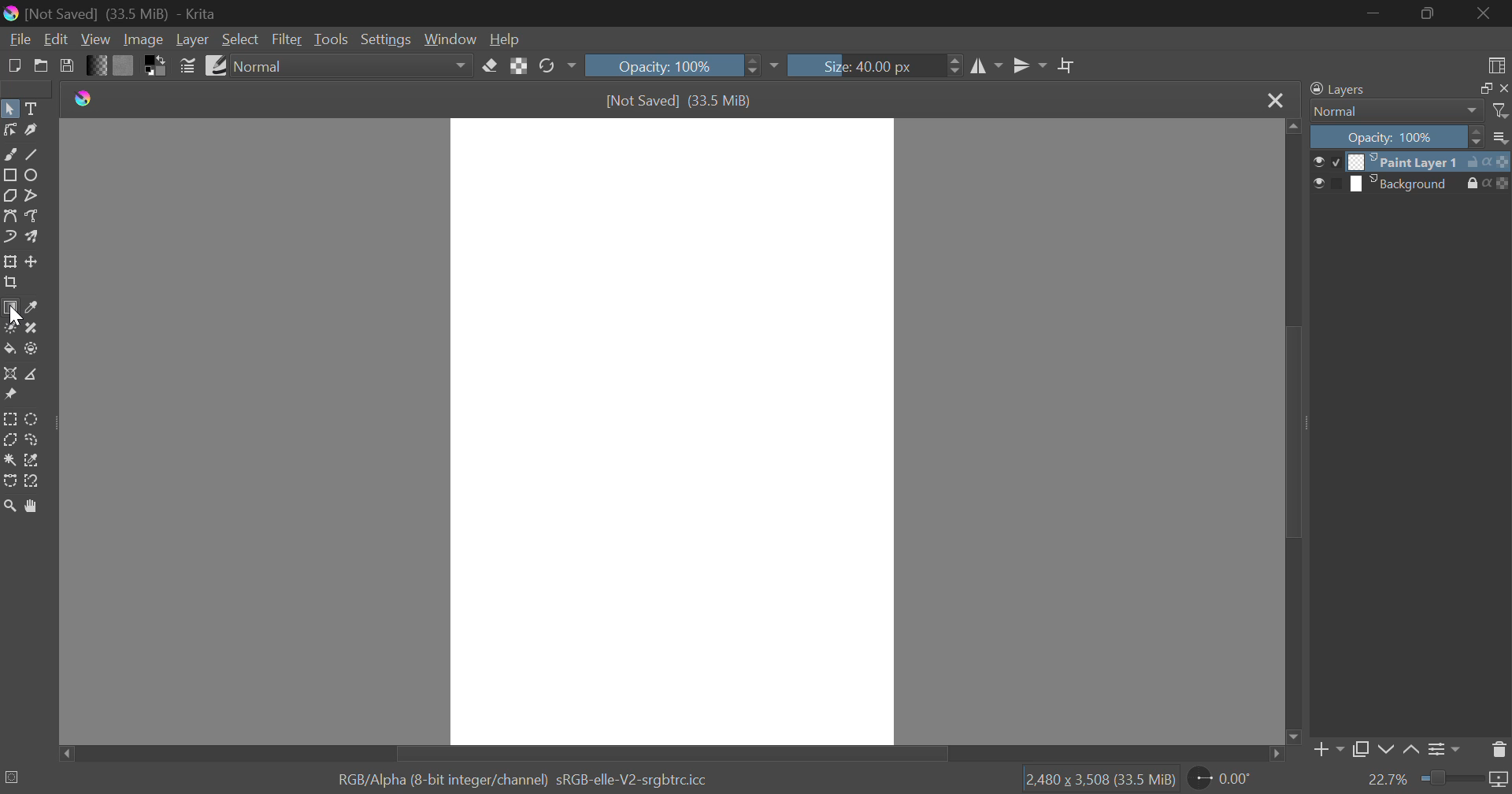 The height and width of the screenshot is (794, 1512). I want to click on preview, so click(1331, 185).